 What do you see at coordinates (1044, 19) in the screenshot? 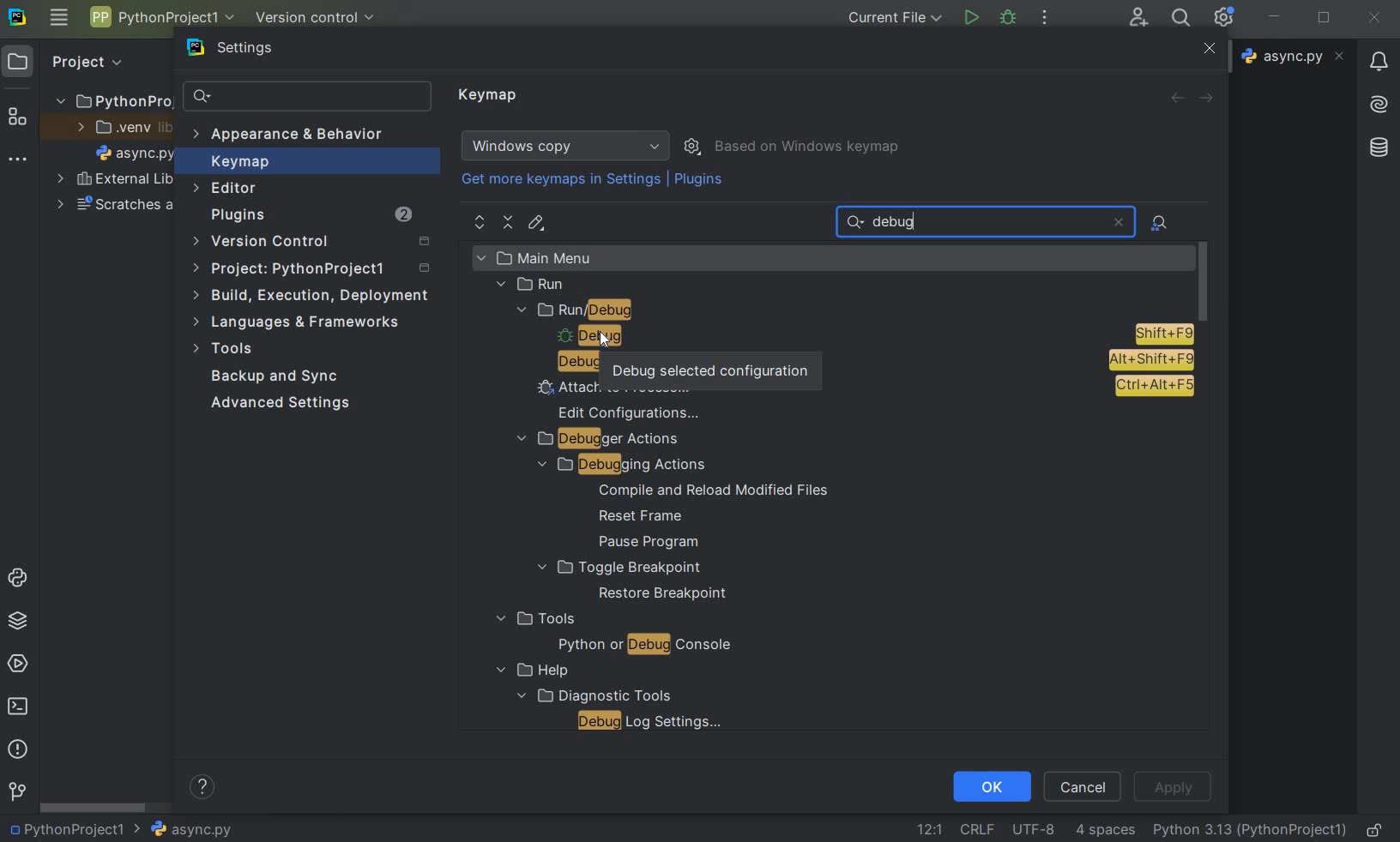
I see `more actions` at bounding box center [1044, 19].